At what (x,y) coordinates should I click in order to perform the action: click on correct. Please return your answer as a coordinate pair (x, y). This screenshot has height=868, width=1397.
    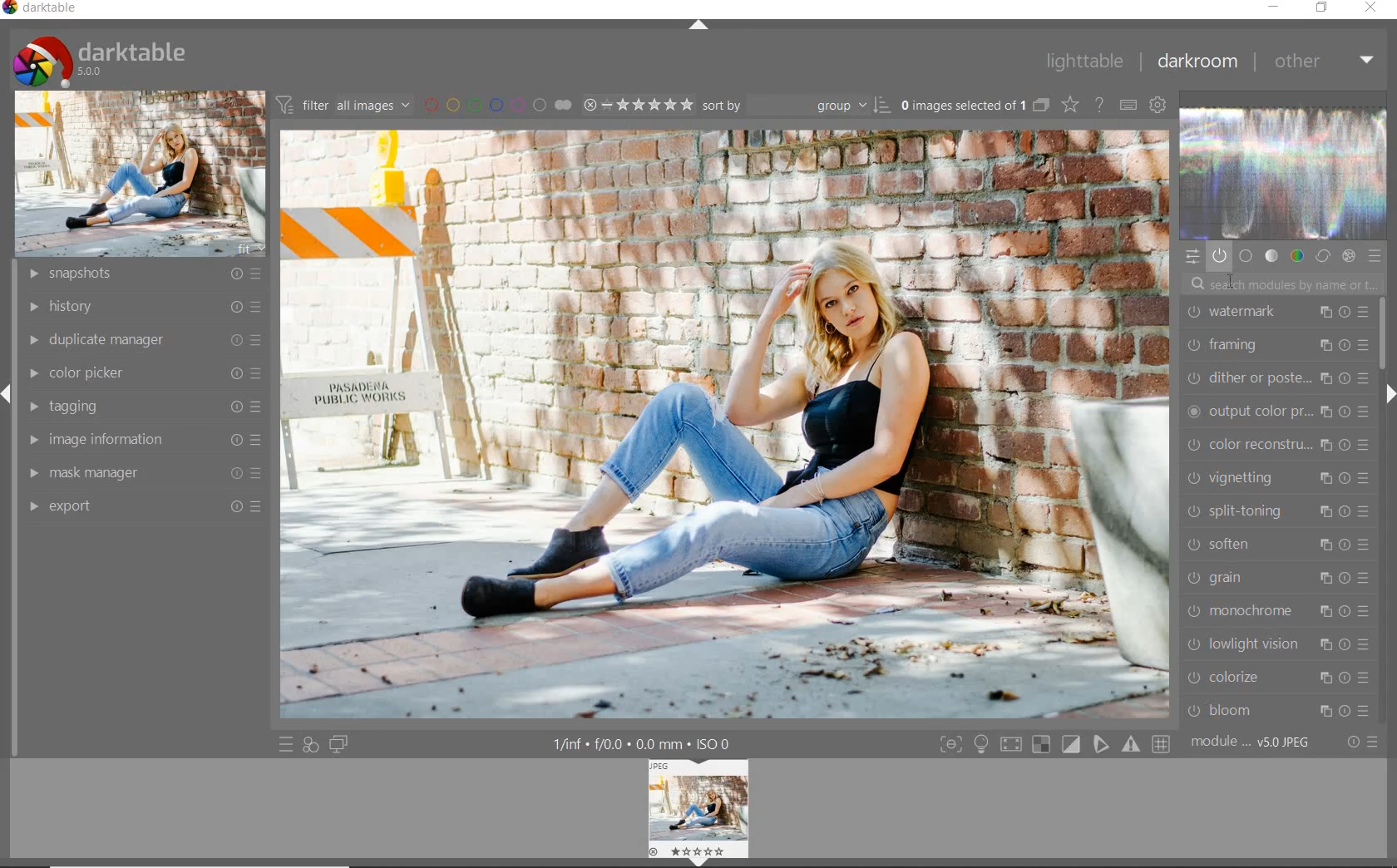
    Looking at the image, I should click on (1323, 255).